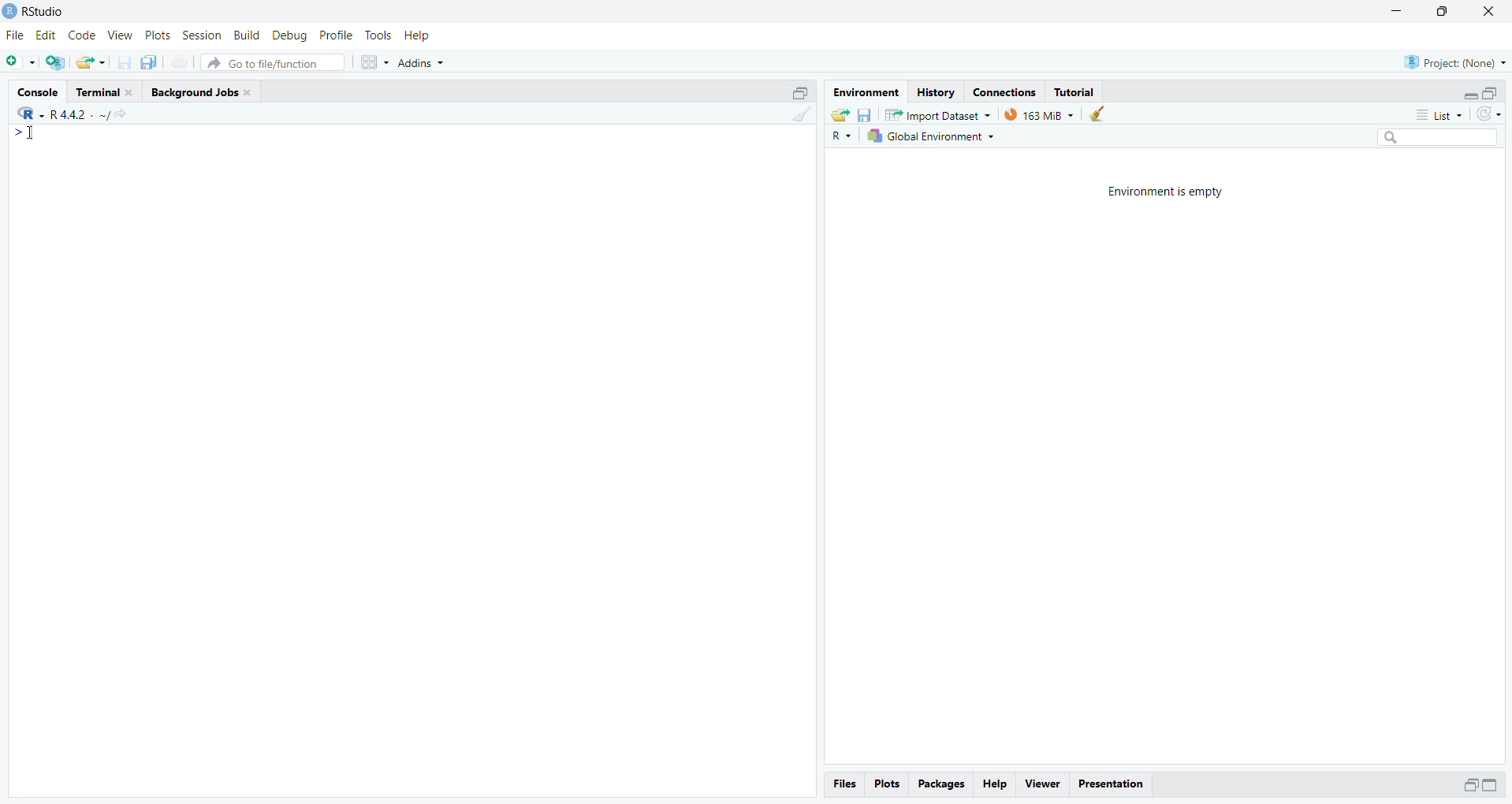 The image size is (1512, 804). Describe the element at coordinates (80, 115) in the screenshot. I see `R 4.4.2 ~/` at that location.